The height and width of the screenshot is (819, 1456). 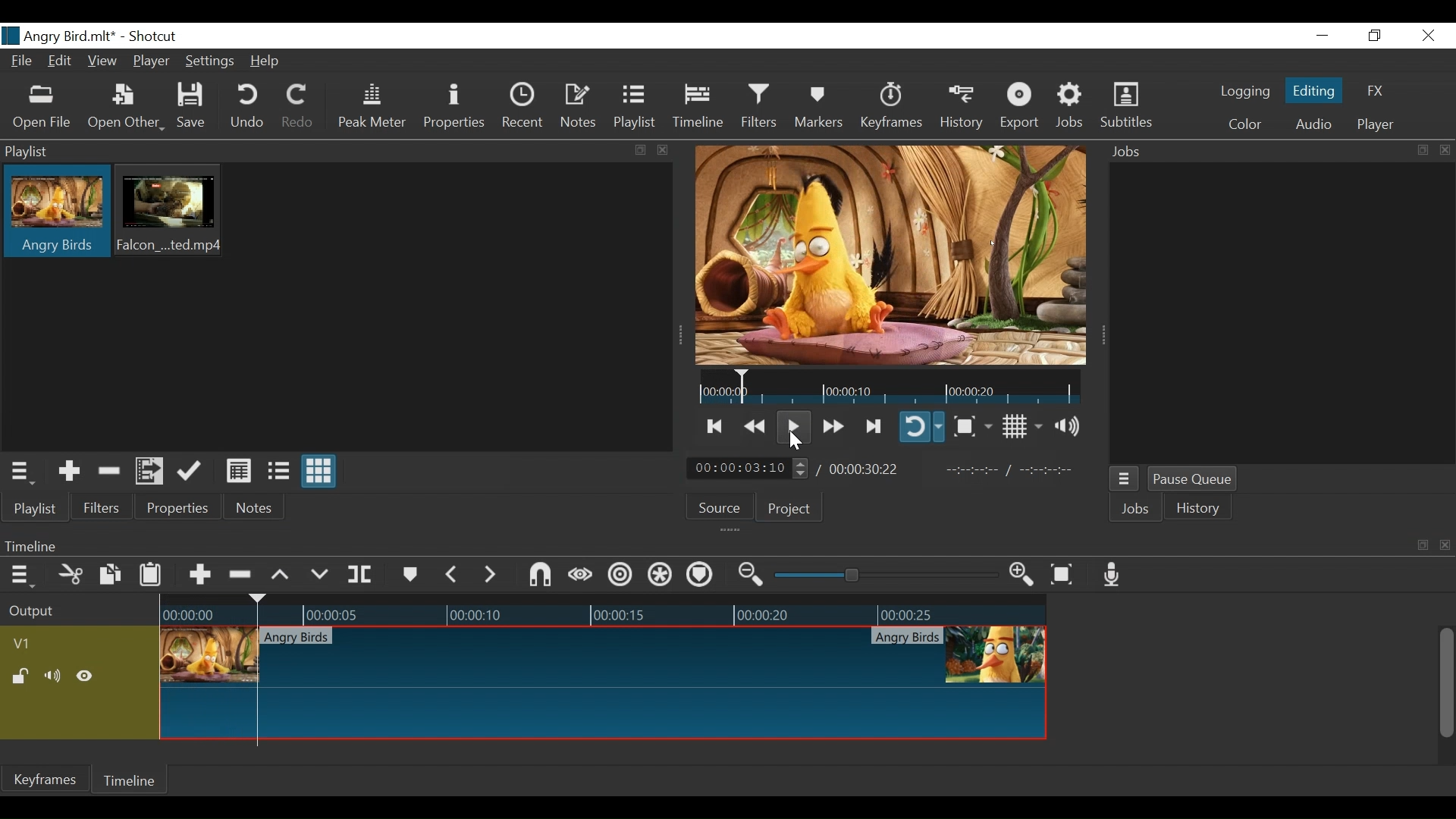 What do you see at coordinates (151, 472) in the screenshot?
I see `Add files to the playlist` at bounding box center [151, 472].